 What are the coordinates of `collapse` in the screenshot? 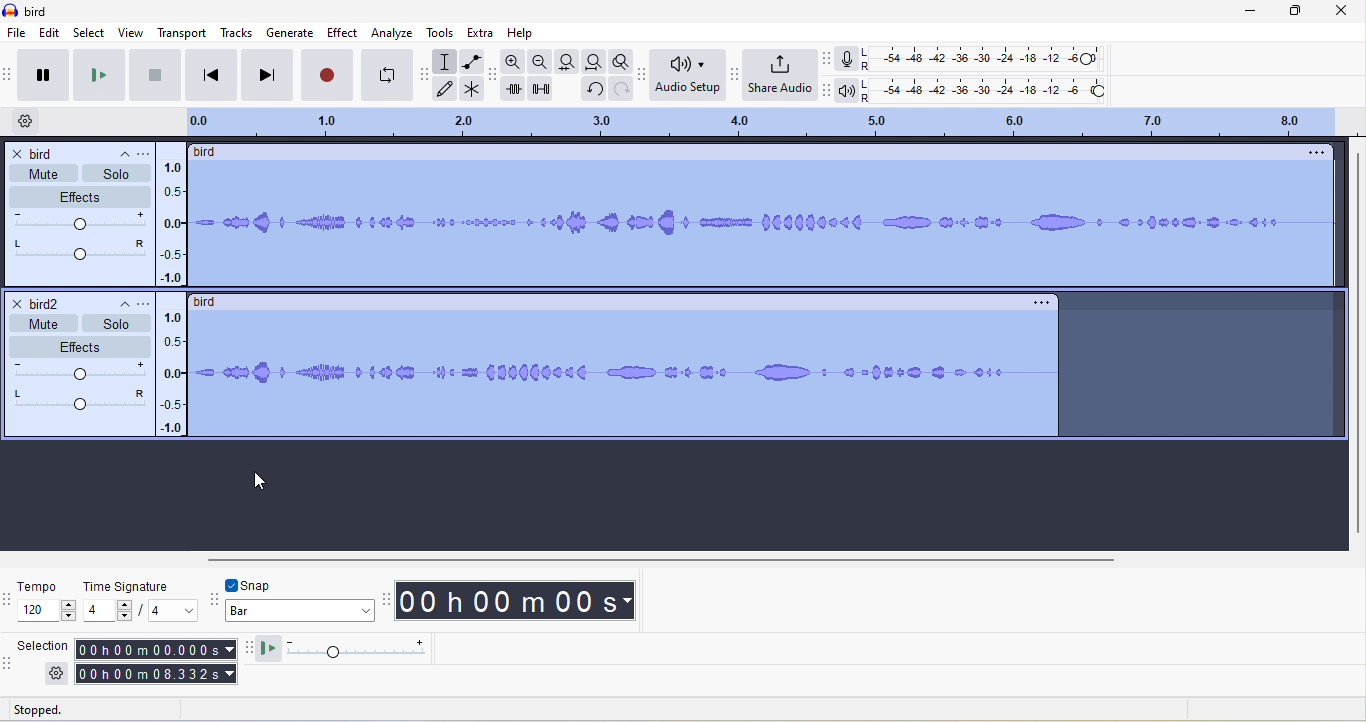 It's located at (116, 303).